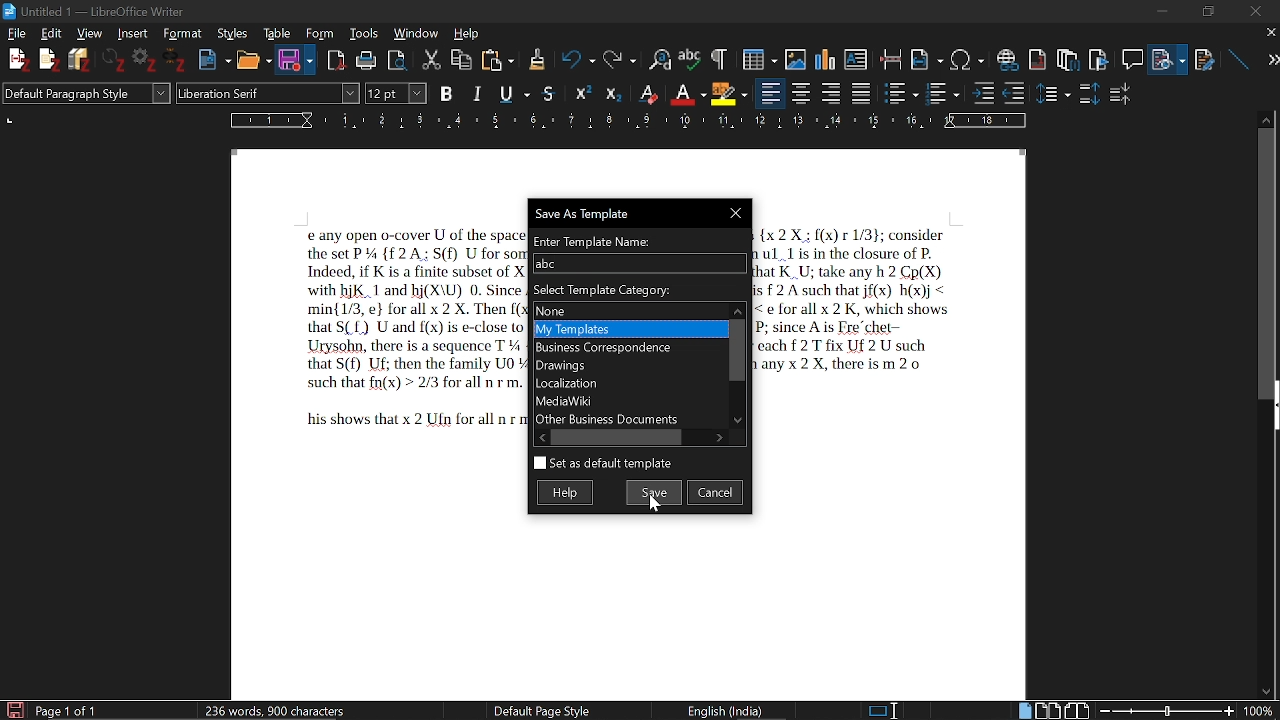 The image size is (1280, 720). Describe the element at coordinates (637, 238) in the screenshot. I see `Enter Template Name` at that location.